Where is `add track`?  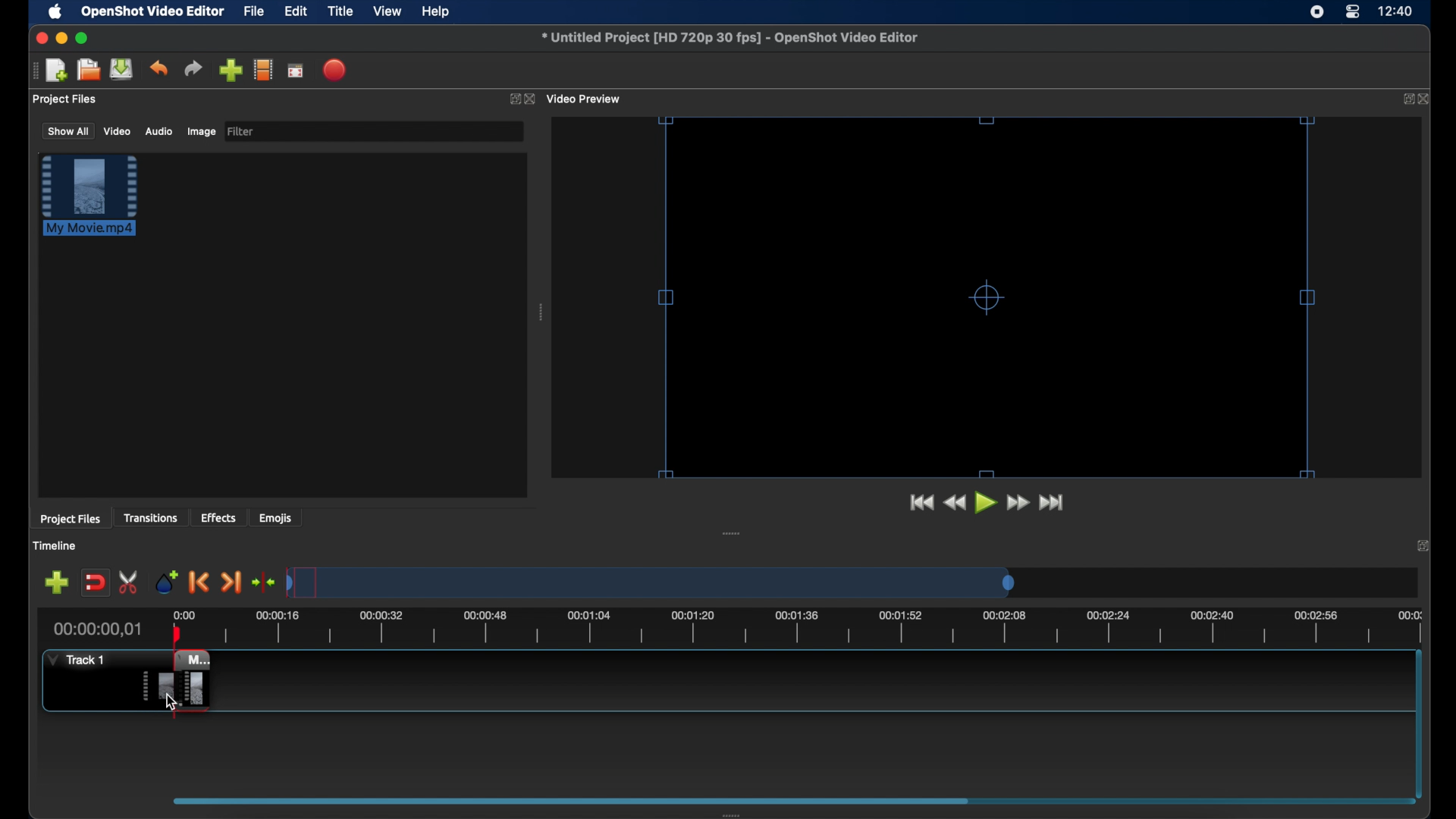 add track is located at coordinates (56, 583).